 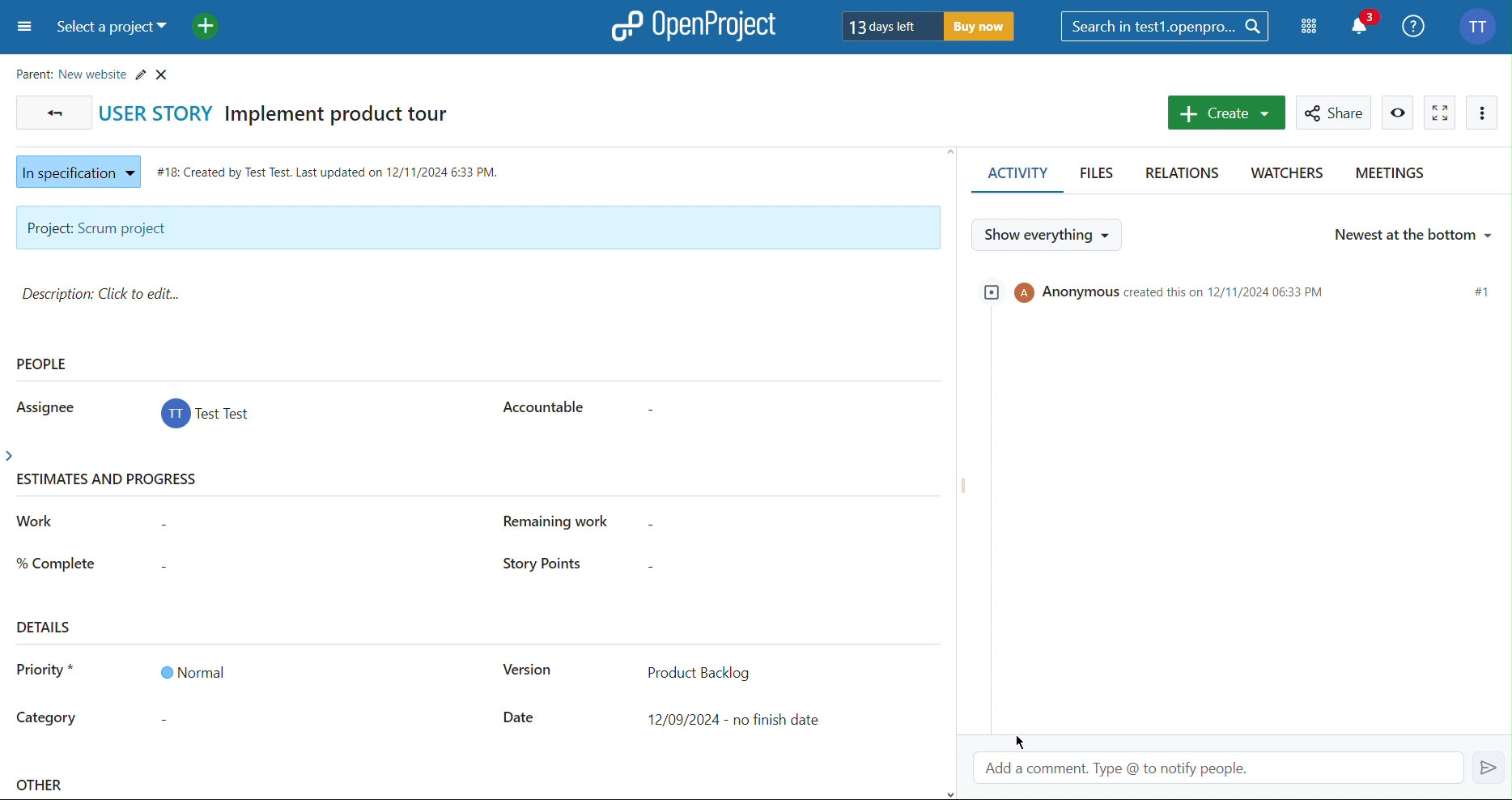 What do you see at coordinates (1186, 174) in the screenshot?
I see `Relations` at bounding box center [1186, 174].